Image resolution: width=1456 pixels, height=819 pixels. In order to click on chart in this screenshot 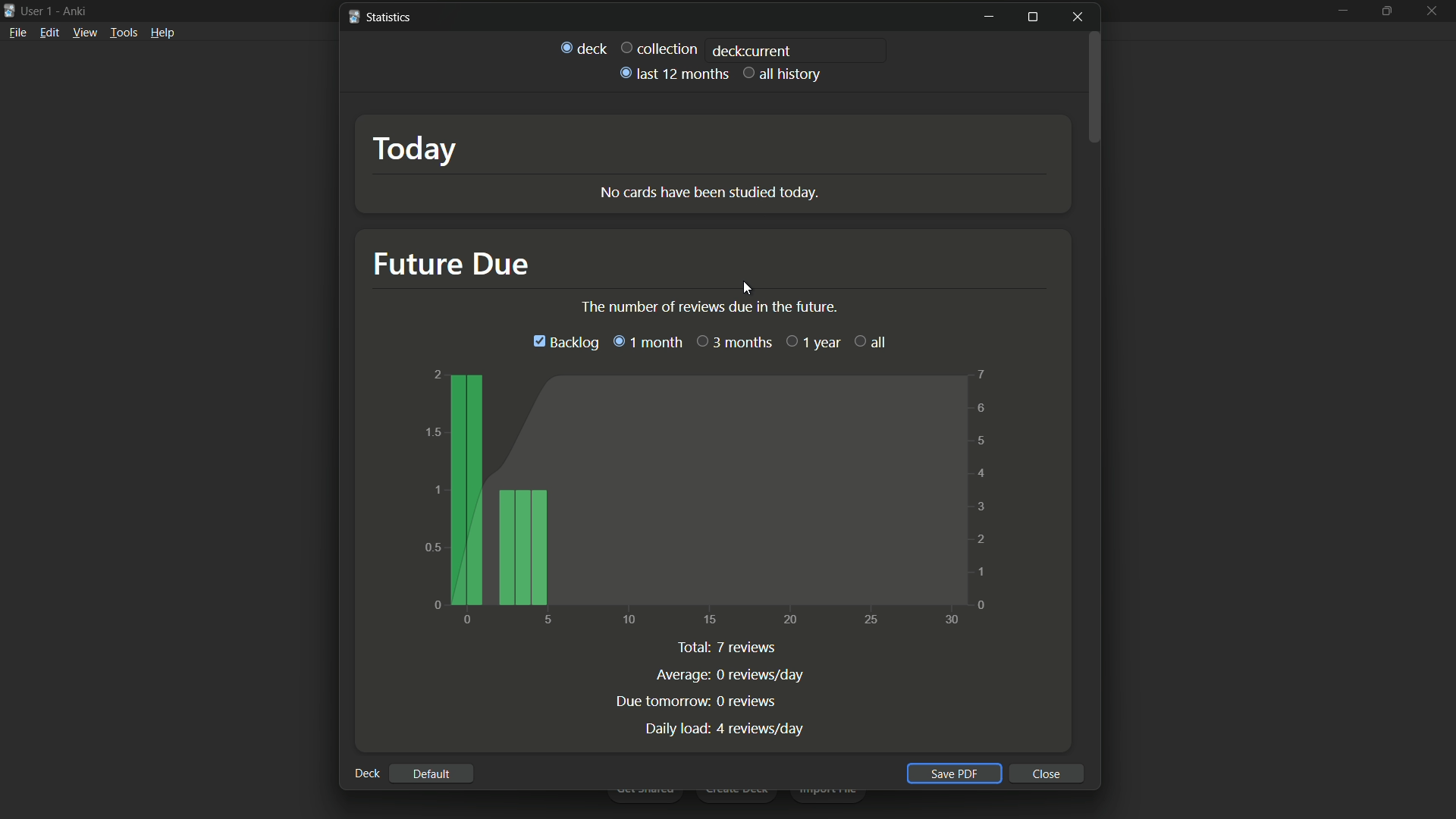, I will do `click(708, 499)`.